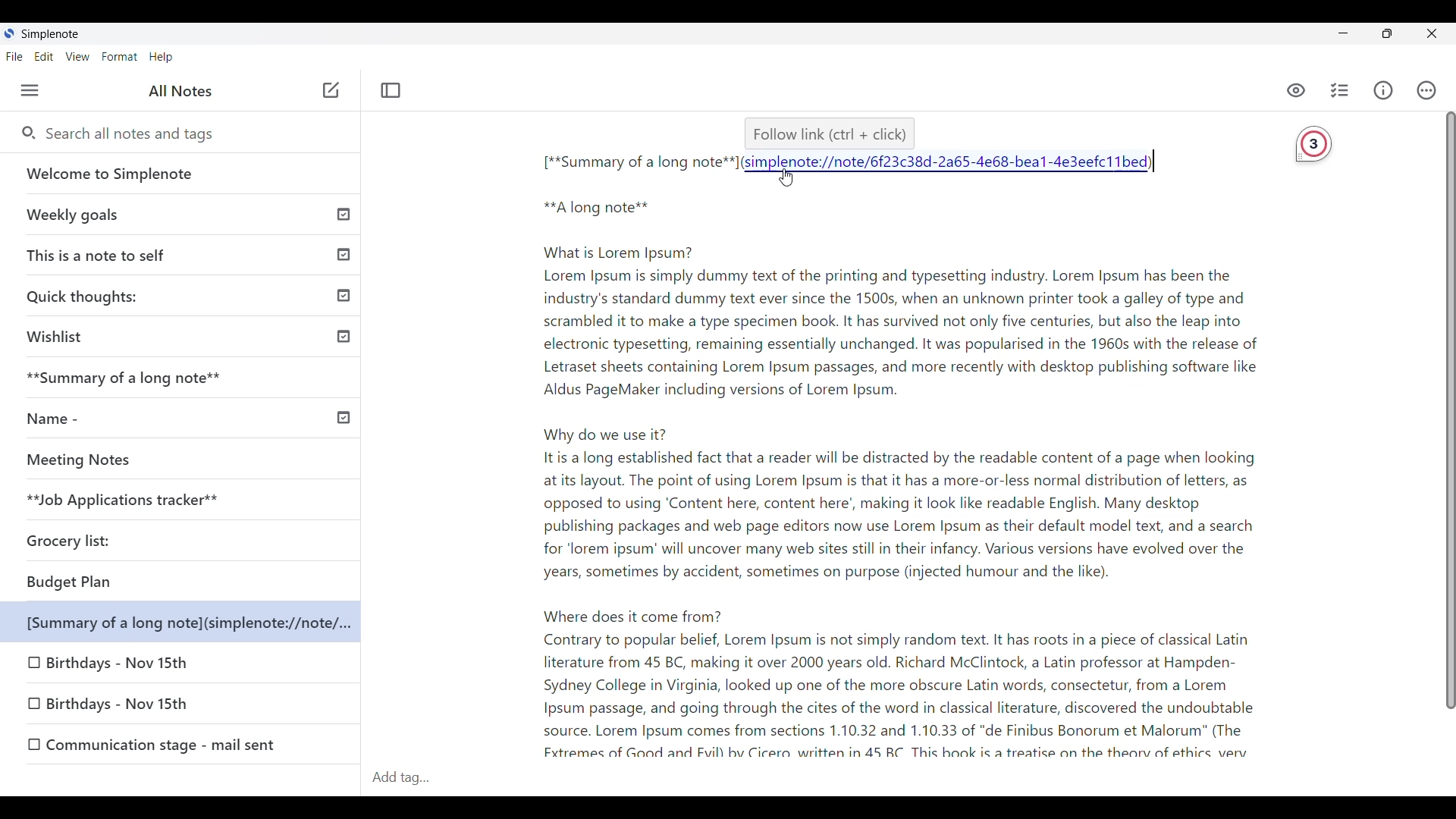 This screenshot has width=1456, height=819. I want to click on Name, so click(183, 416).